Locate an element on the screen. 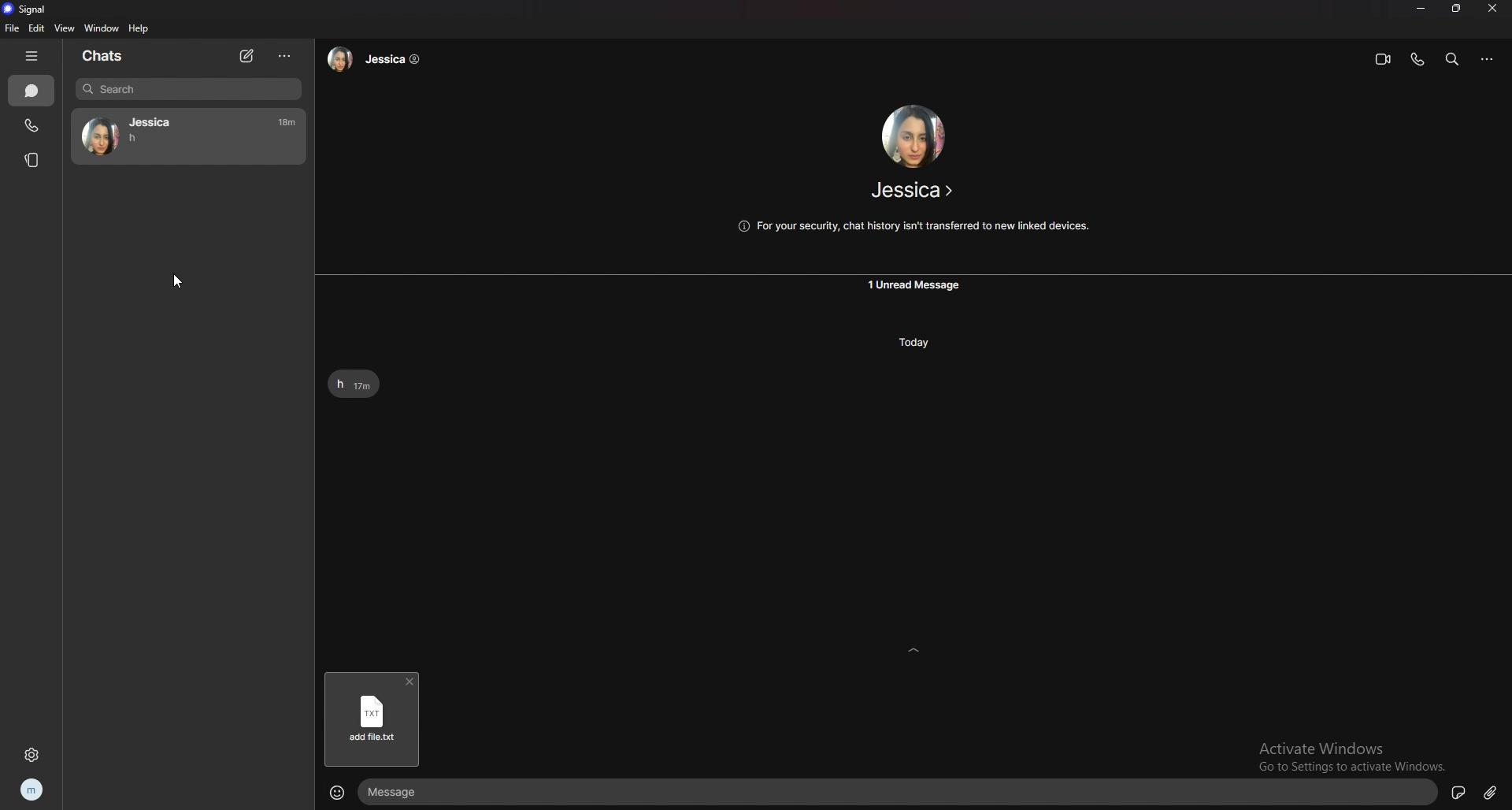 Image resolution: width=1512 pixels, height=810 pixels. new chat is located at coordinates (248, 57).